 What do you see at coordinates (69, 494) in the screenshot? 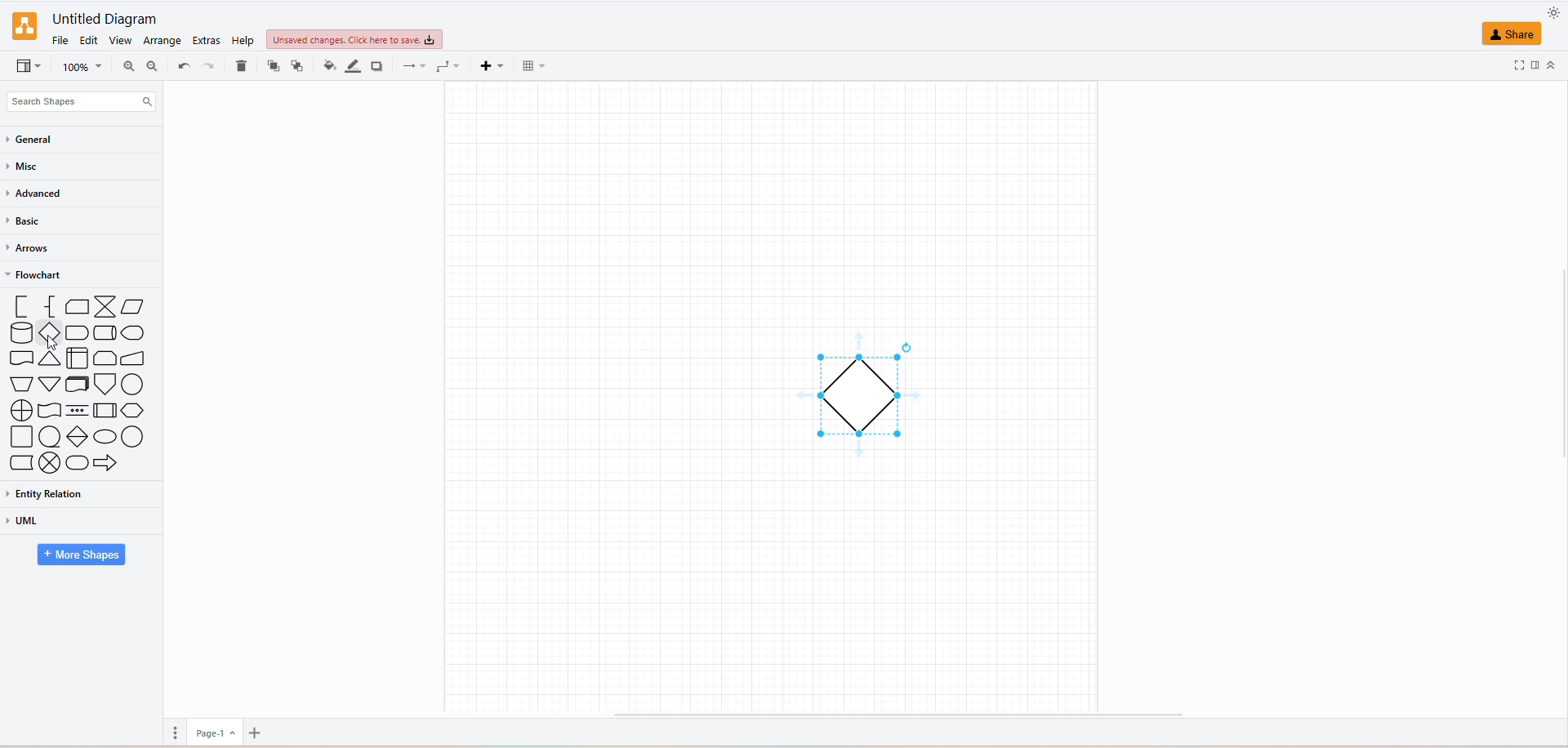
I see `ENTITY RELATION` at bounding box center [69, 494].